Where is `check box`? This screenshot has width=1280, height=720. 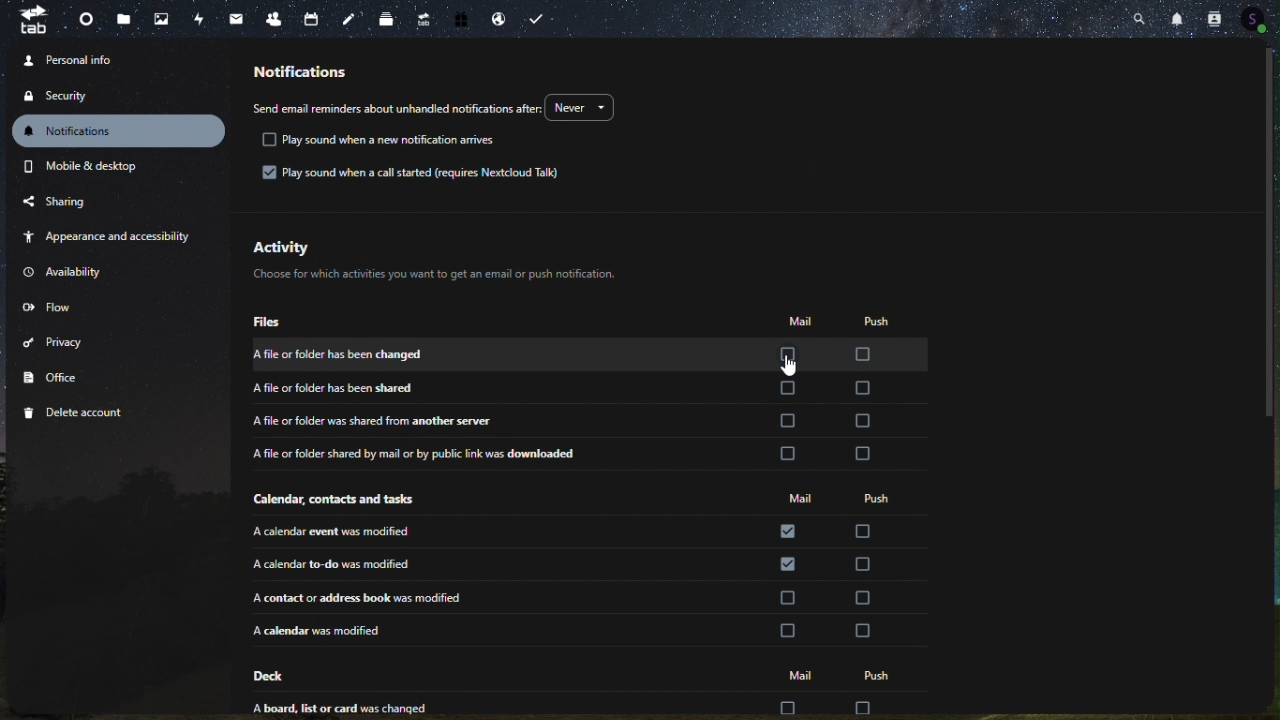 check box is located at coordinates (267, 140).